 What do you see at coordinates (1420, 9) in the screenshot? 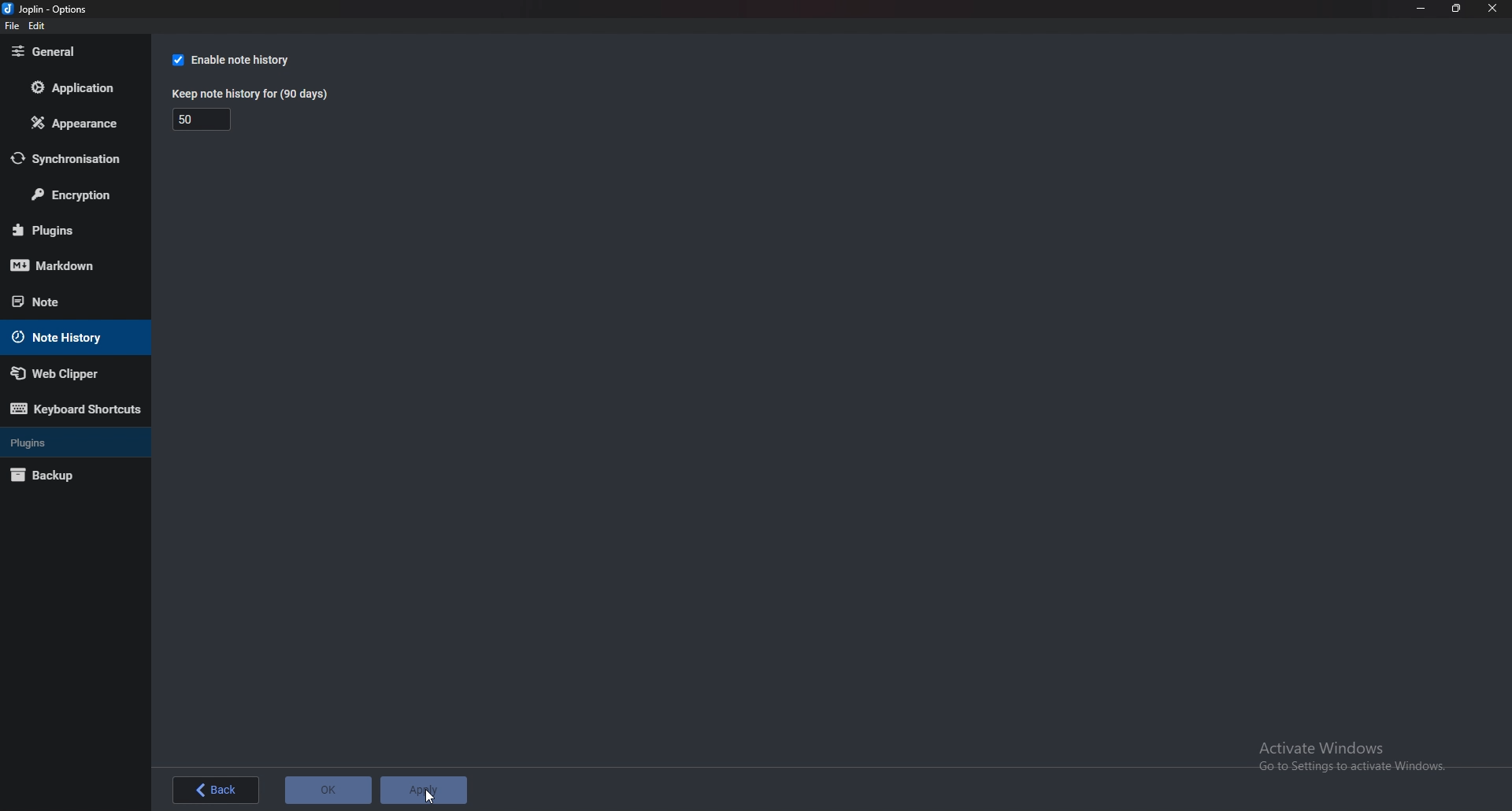
I see `Minimize` at bounding box center [1420, 9].